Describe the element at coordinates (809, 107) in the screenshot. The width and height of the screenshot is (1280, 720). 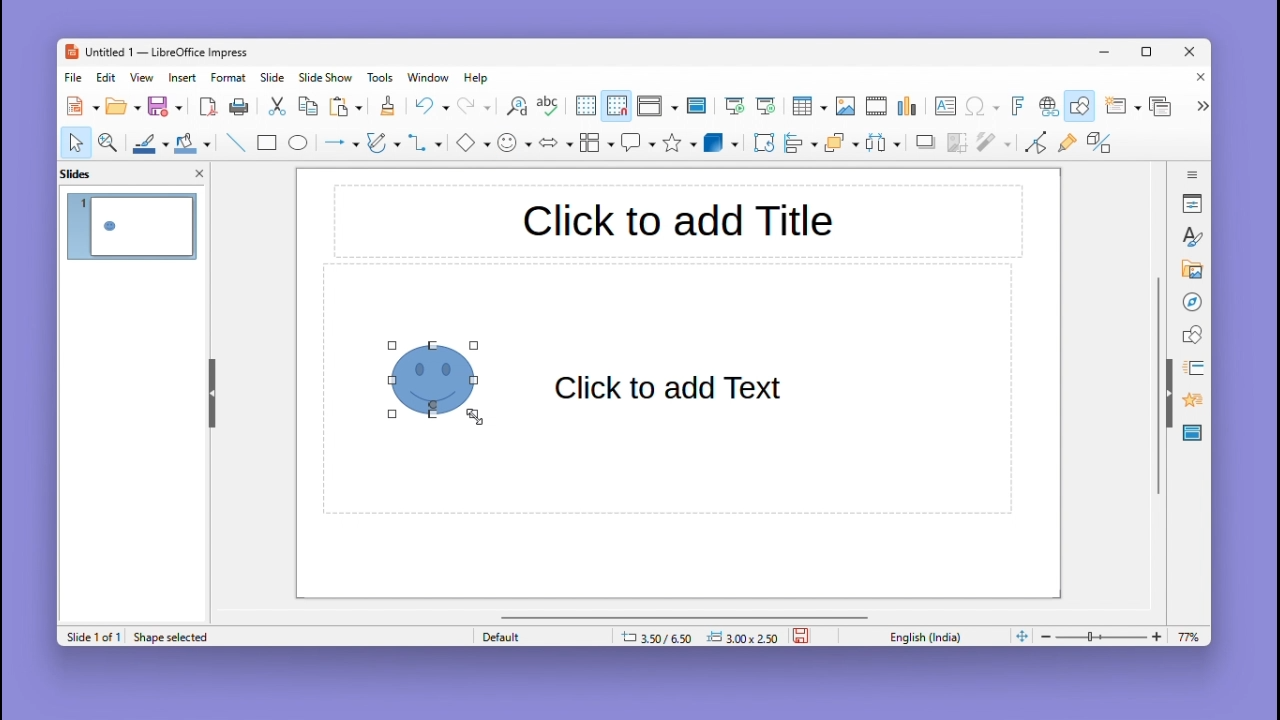
I see `Table` at that location.